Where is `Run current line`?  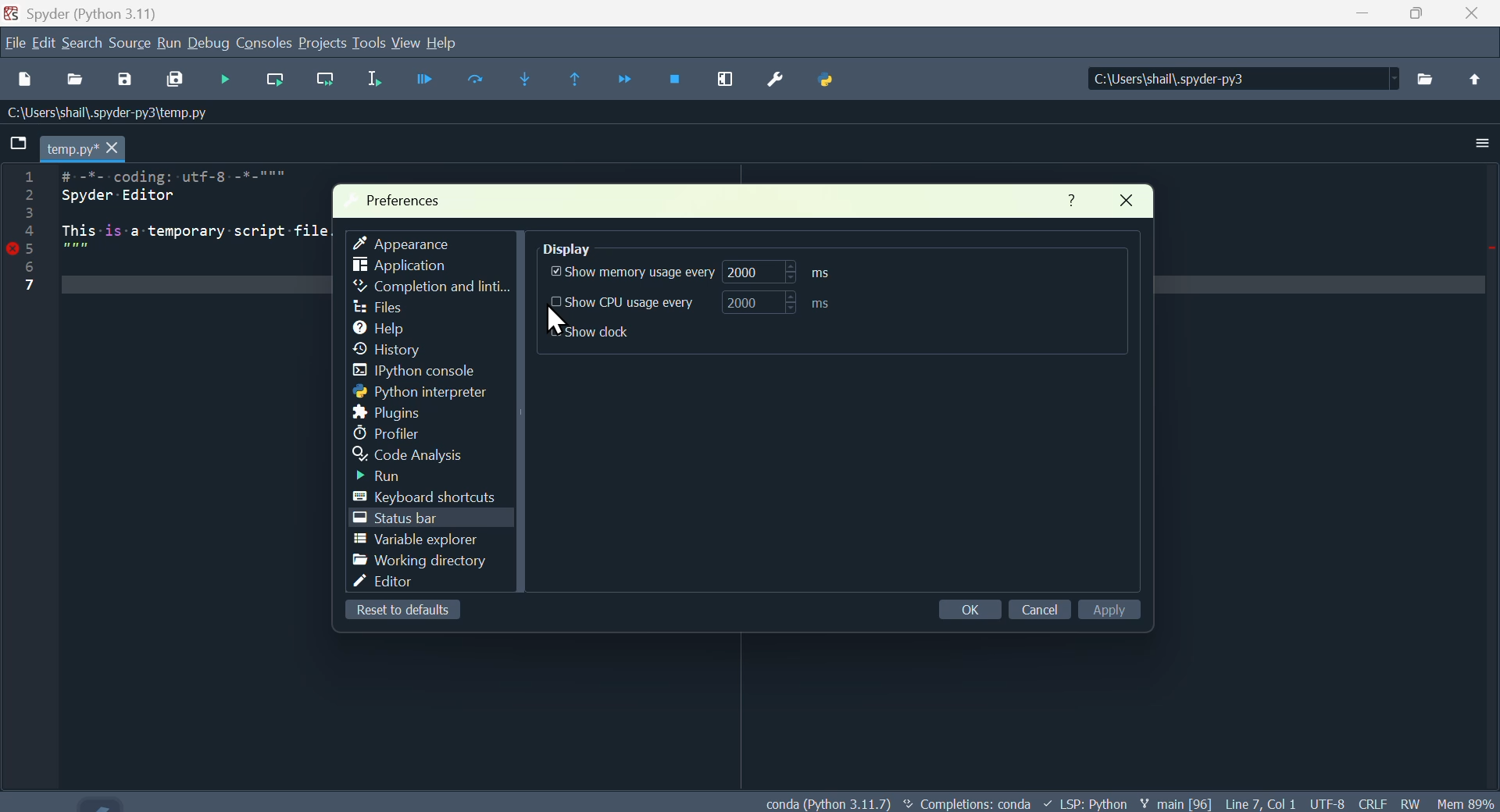 Run current line is located at coordinates (280, 80).